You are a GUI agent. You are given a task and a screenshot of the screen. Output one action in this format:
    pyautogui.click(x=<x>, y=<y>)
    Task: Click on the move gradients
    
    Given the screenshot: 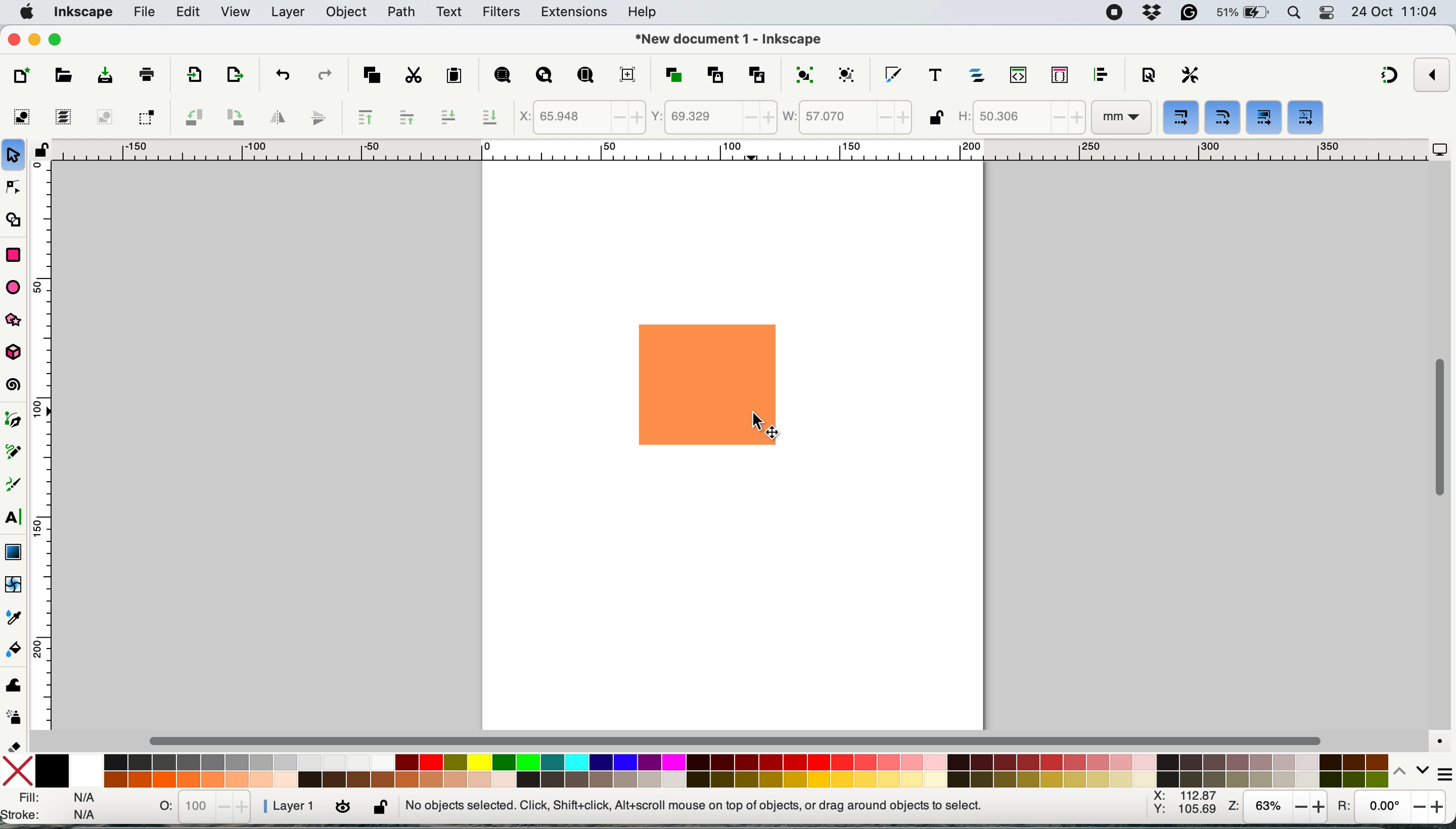 What is the action you would take?
    pyautogui.click(x=1265, y=117)
    